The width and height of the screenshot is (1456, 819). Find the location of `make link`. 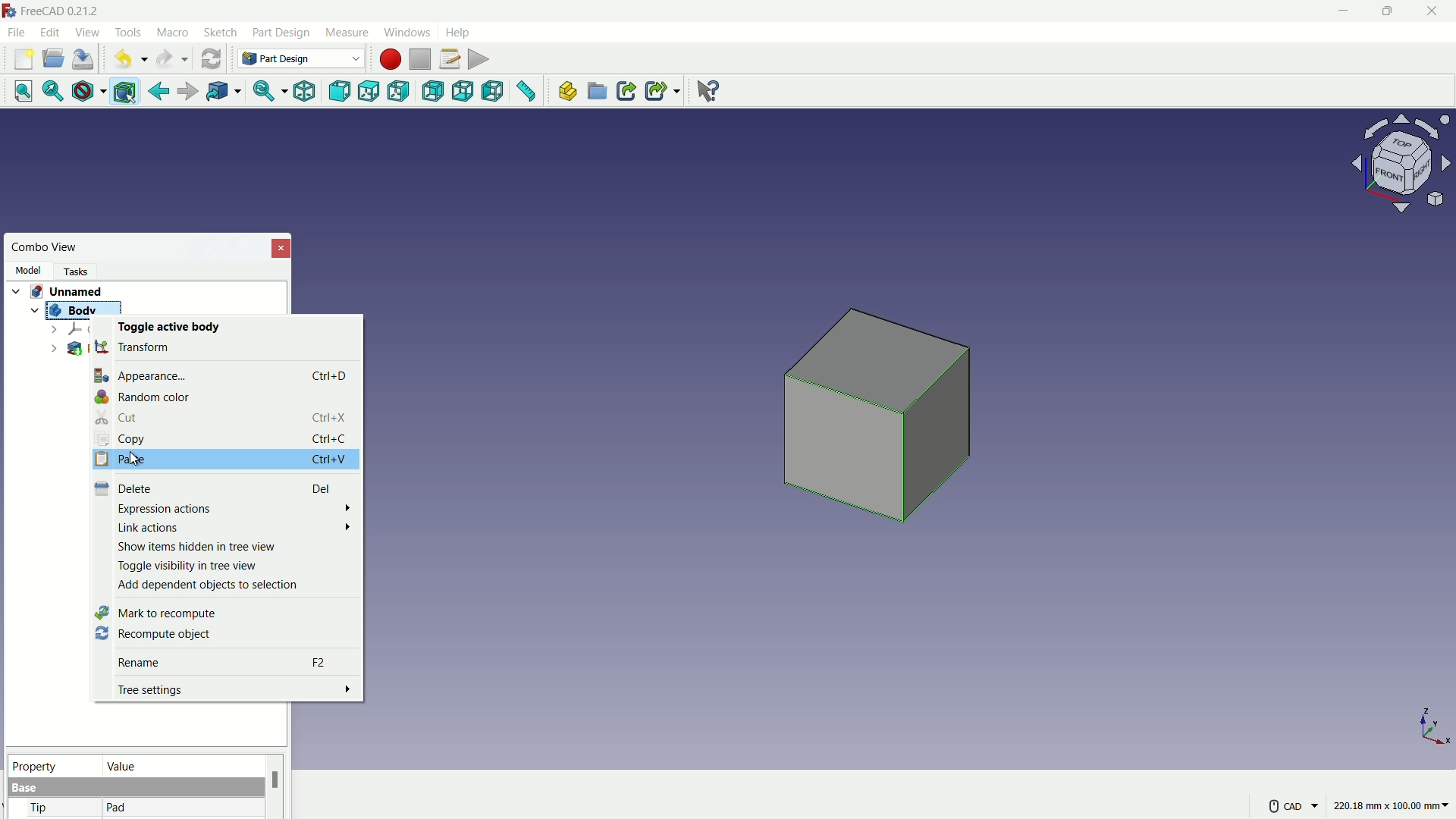

make link is located at coordinates (626, 93).